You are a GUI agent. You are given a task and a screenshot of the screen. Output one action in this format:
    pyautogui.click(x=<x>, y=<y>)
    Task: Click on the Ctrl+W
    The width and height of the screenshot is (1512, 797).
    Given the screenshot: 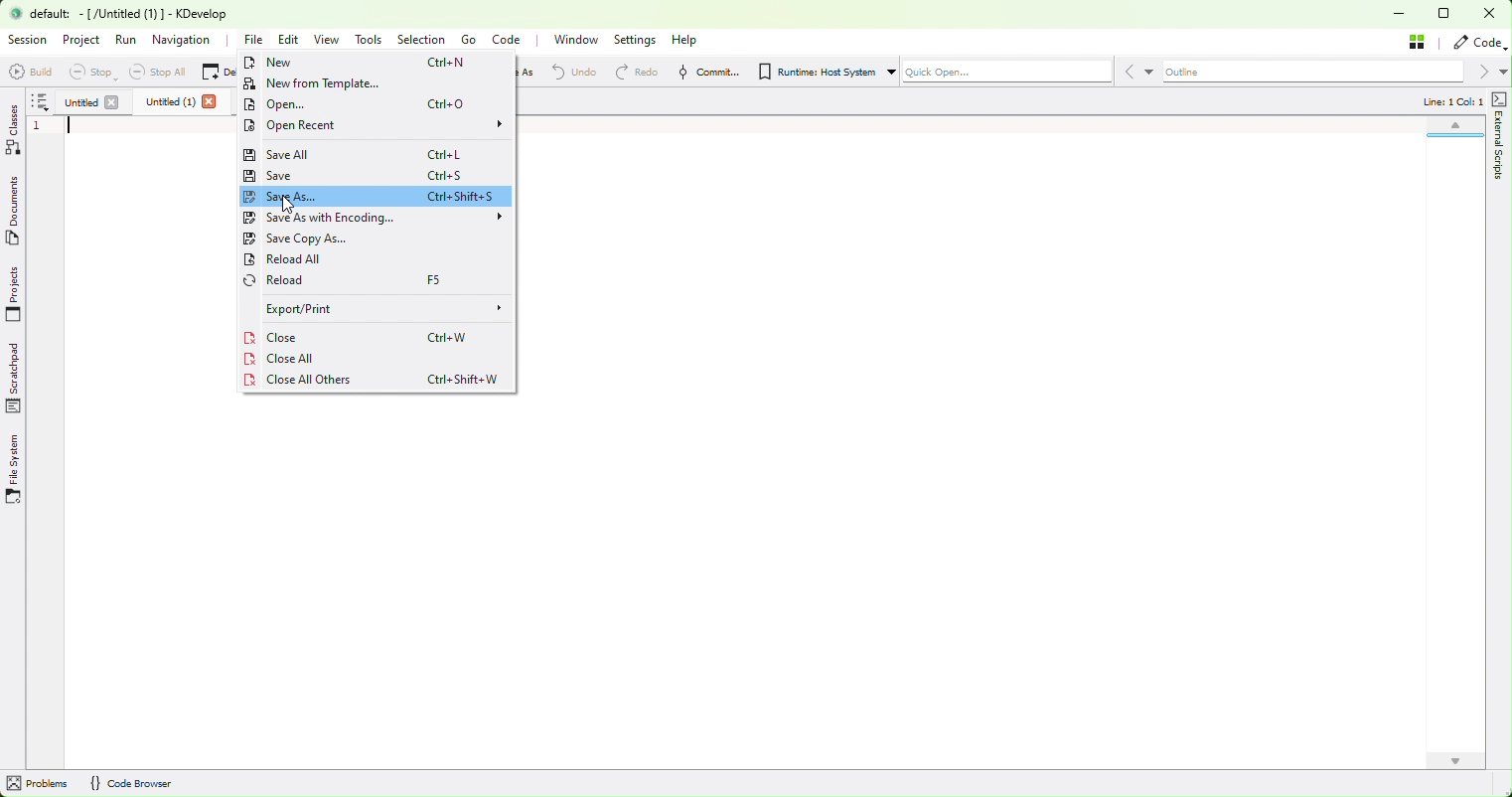 What is the action you would take?
    pyautogui.click(x=448, y=337)
    